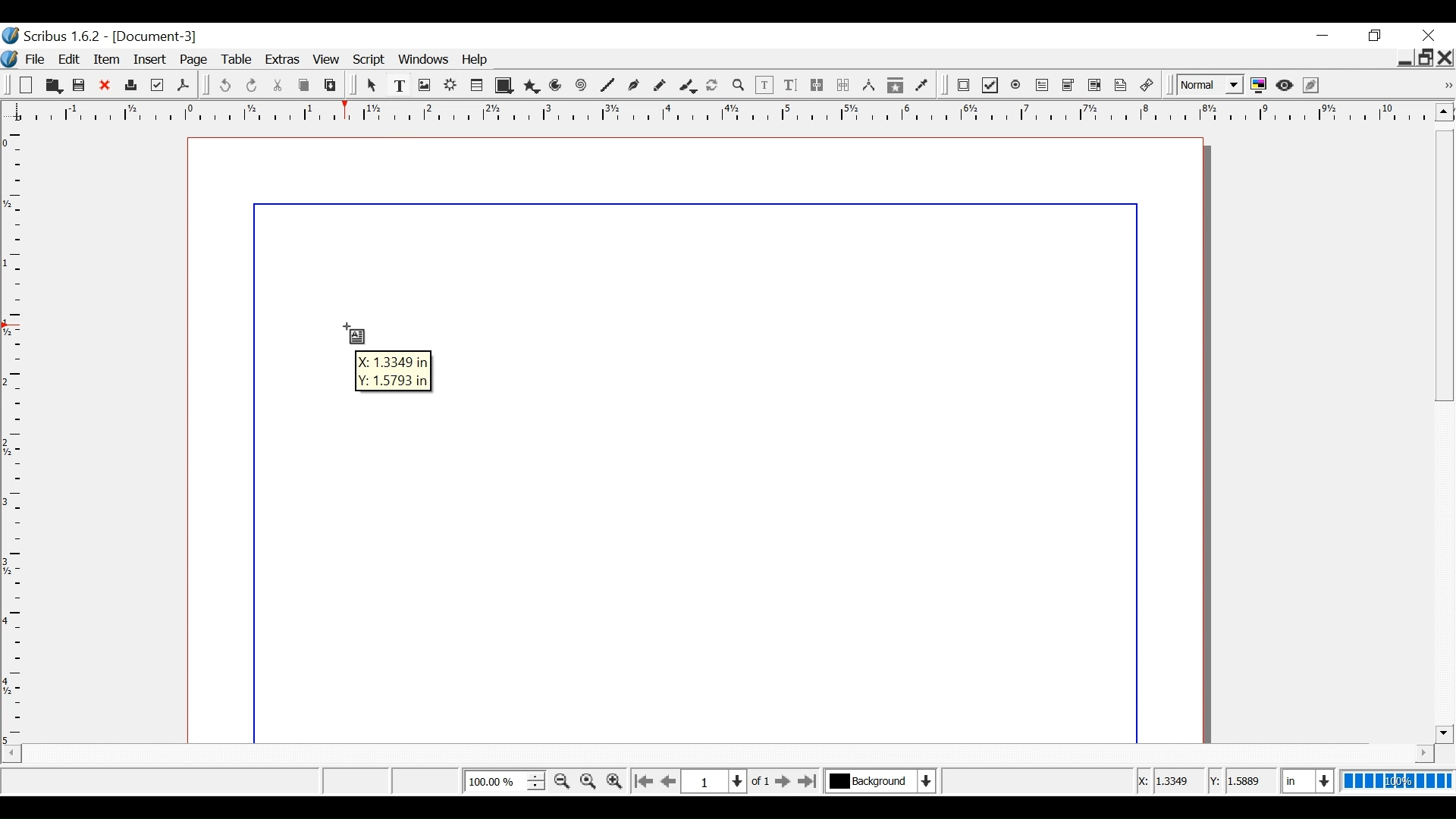  I want to click on minimie, so click(1404, 57).